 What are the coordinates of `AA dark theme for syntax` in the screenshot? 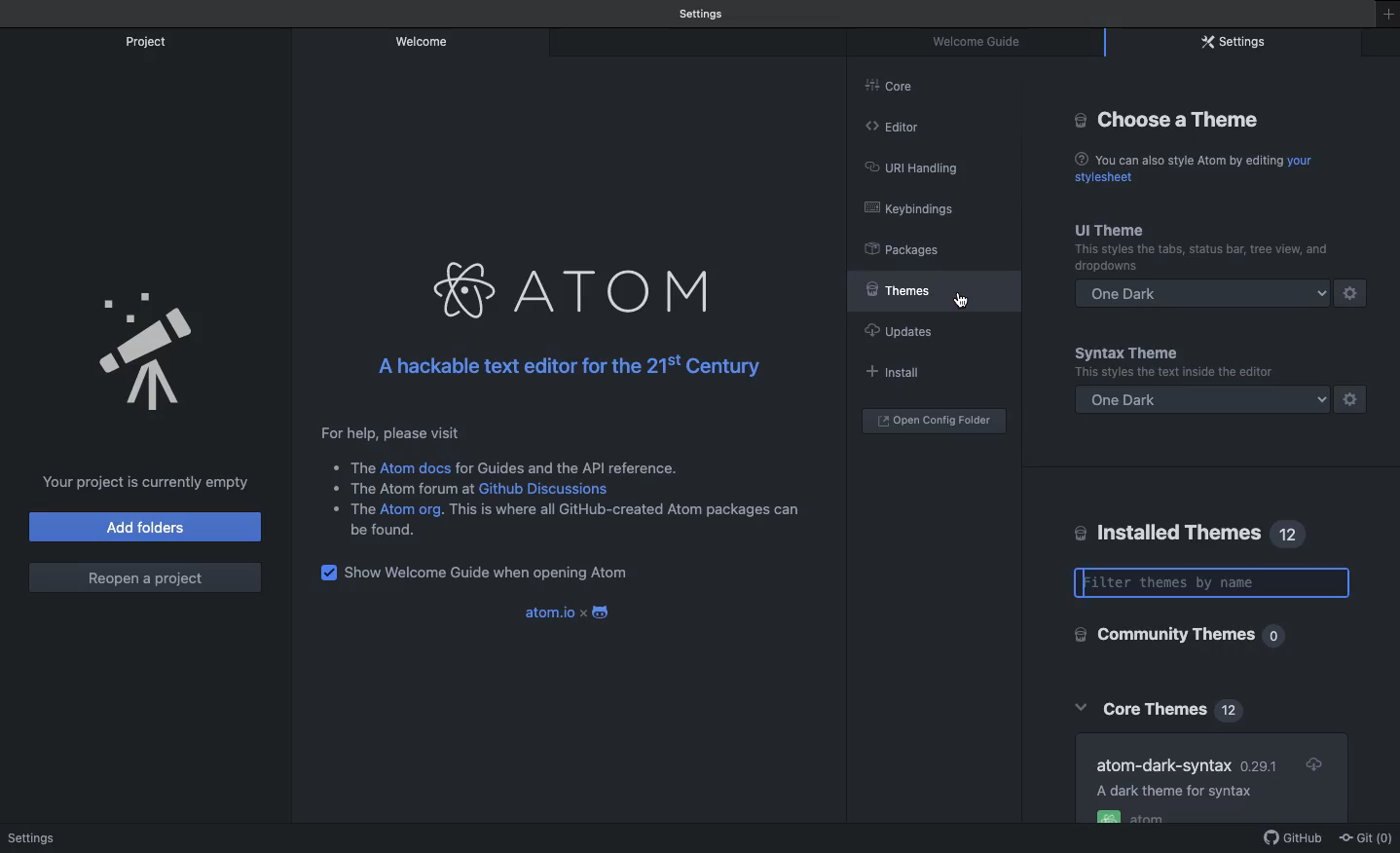 It's located at (1180, 797).